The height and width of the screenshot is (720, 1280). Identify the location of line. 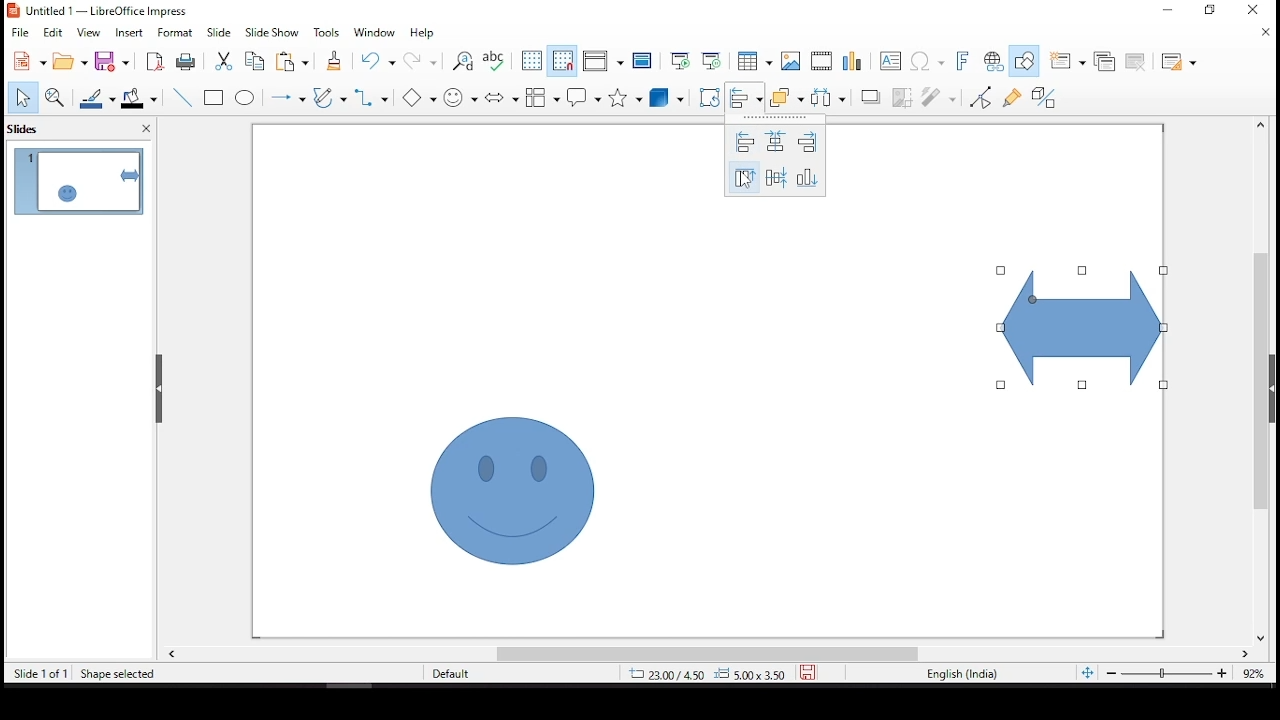
(183, 98).